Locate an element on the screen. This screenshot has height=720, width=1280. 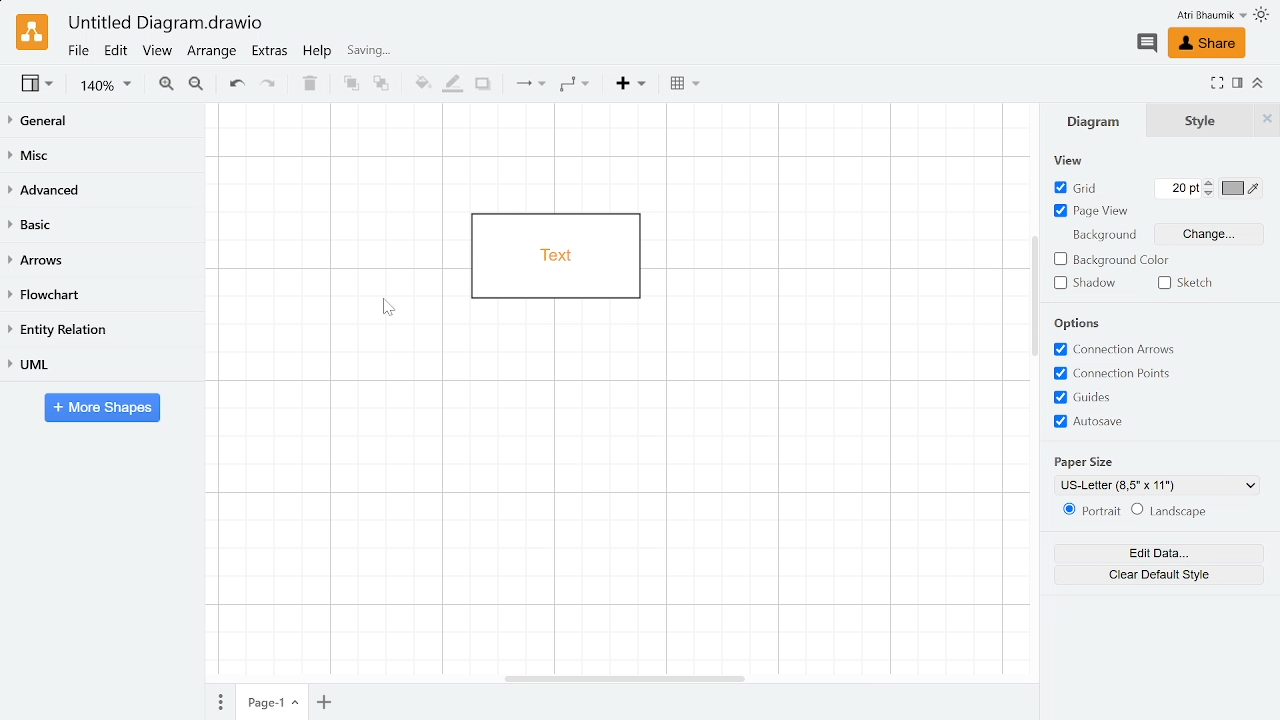
Current page is located at coordinates (273, 702).